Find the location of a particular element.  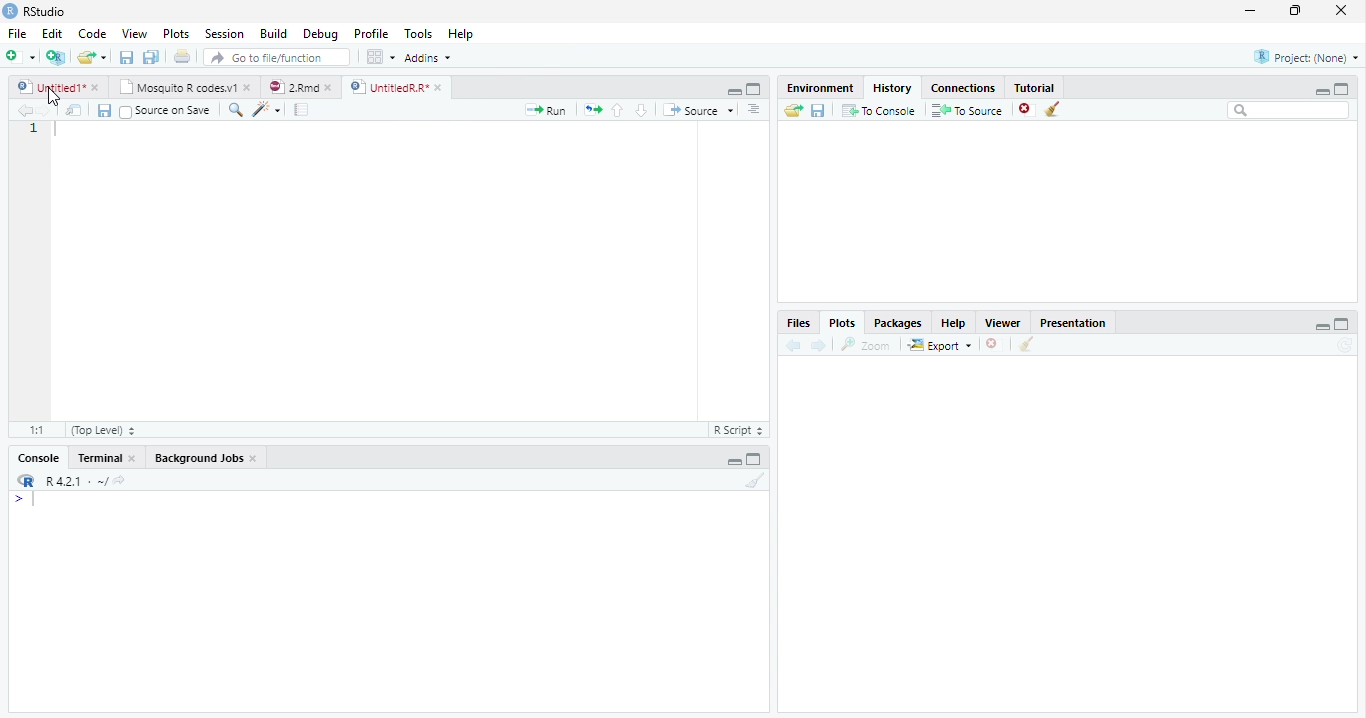

Code is located at coordinates (94, 33).